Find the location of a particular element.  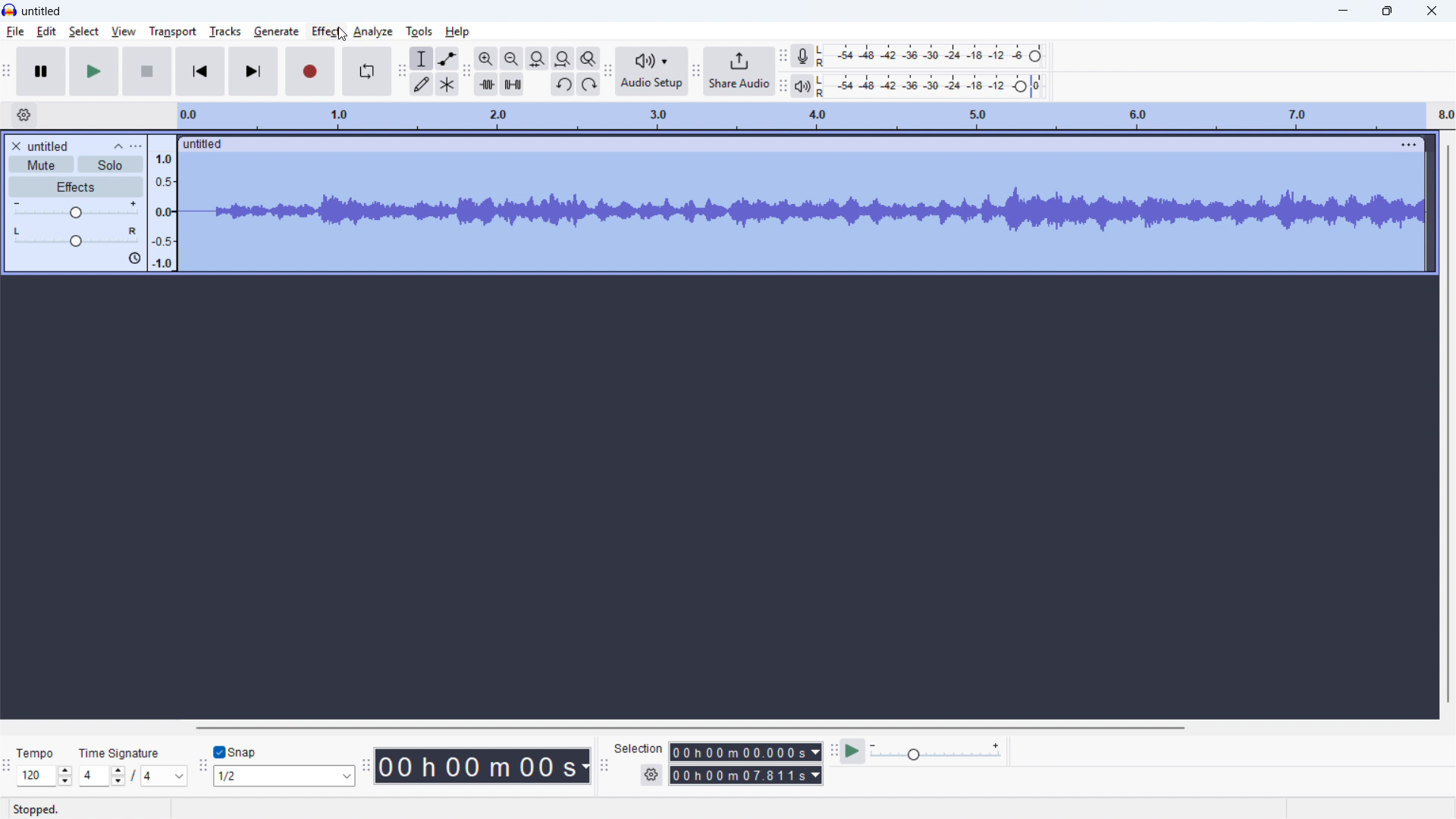

track title is located at coordinates (49, 146).